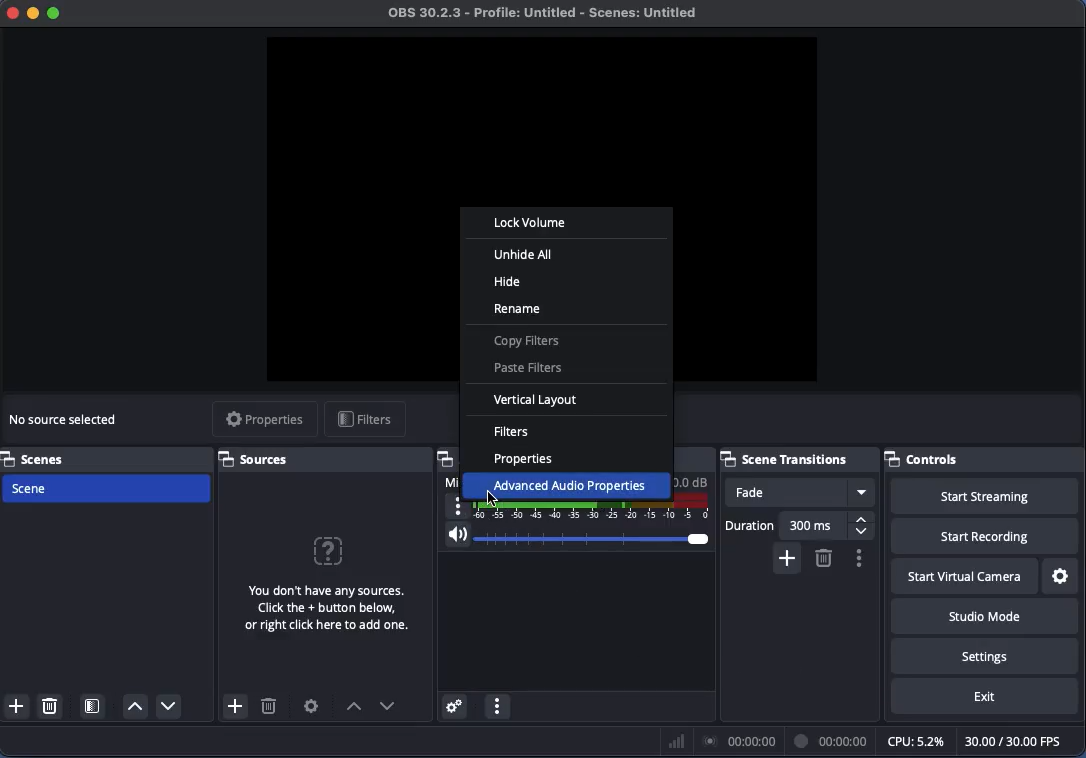  What do you see at coordinates (530, 223) in the screenshot?
I see `Lock volume` at bounding box center [530, 223].